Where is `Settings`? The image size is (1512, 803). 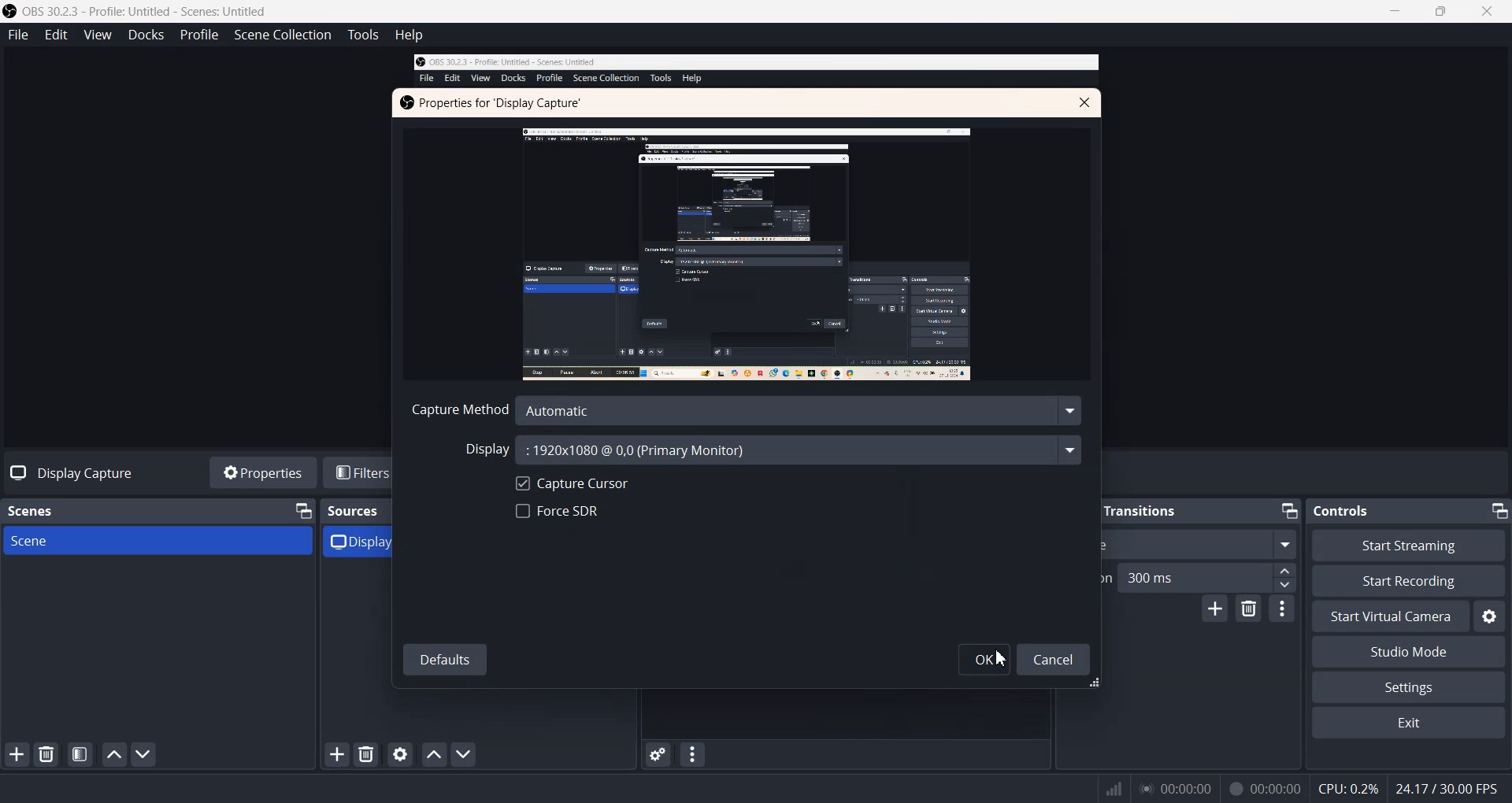
Settings is located at coordinates (1489, 616).